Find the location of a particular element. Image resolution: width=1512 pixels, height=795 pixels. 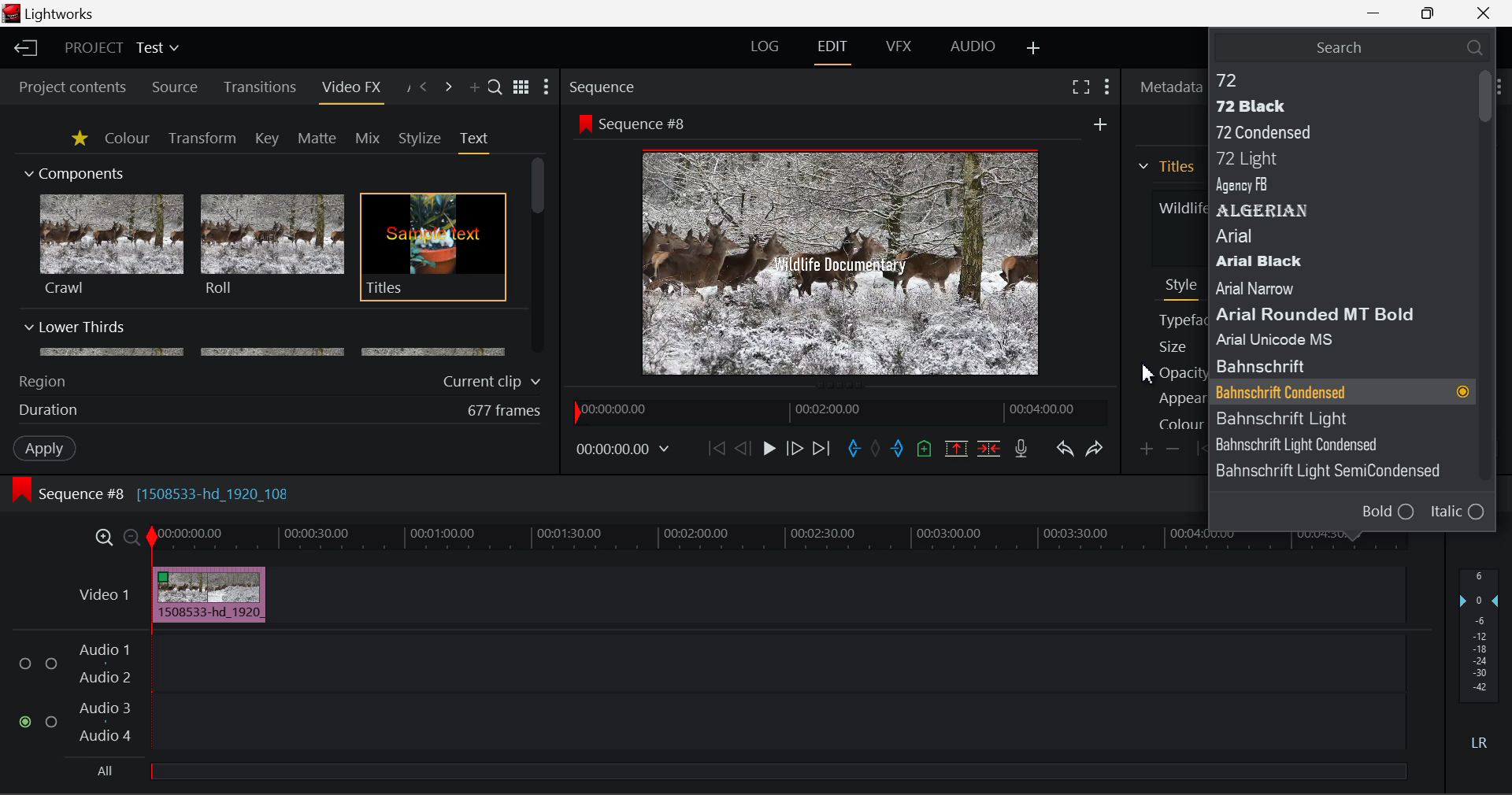

Video 1 is located at coordinates (106, 594).